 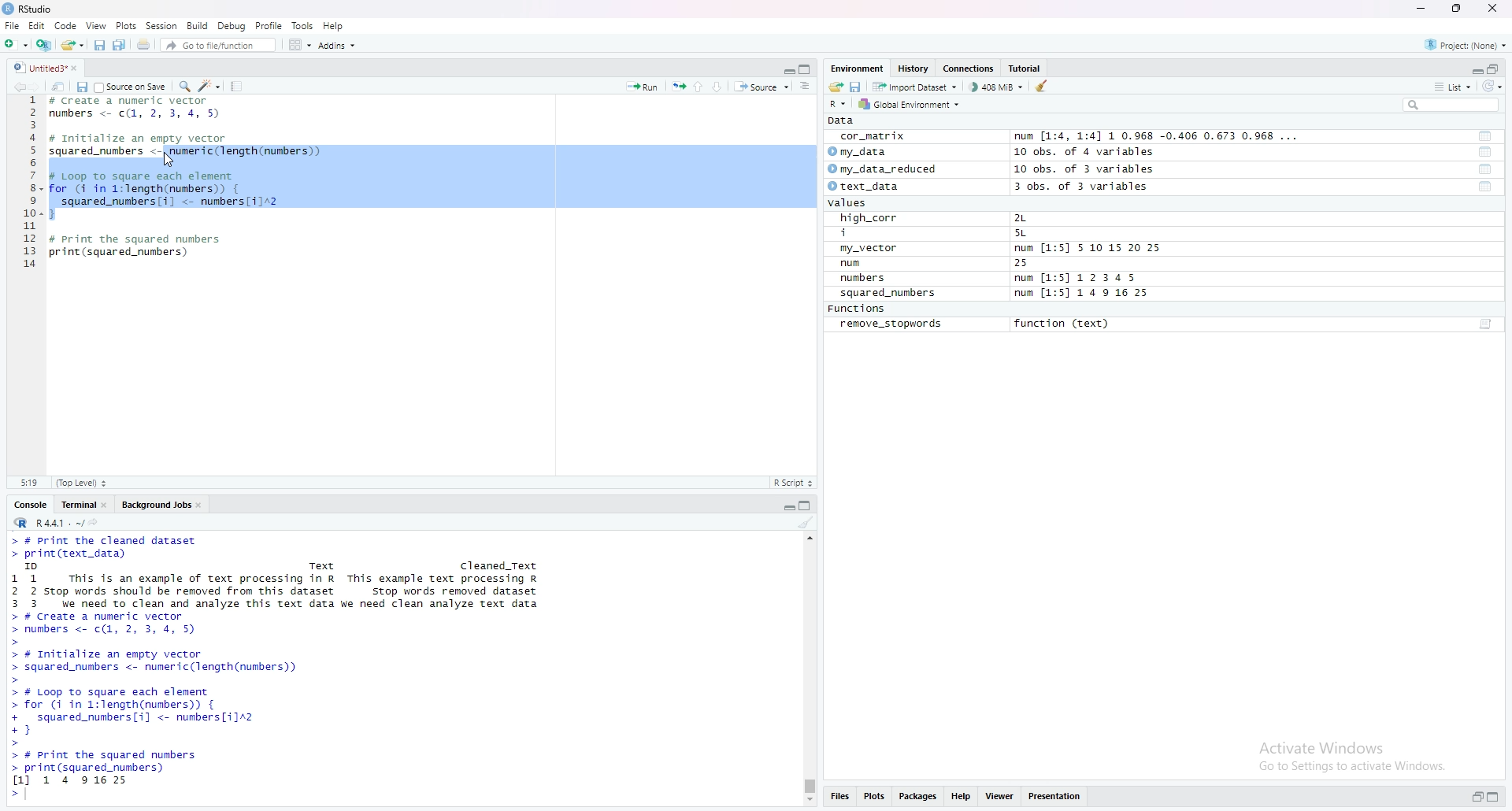 I want to click on Print the current file, so click(x=142, y=43).